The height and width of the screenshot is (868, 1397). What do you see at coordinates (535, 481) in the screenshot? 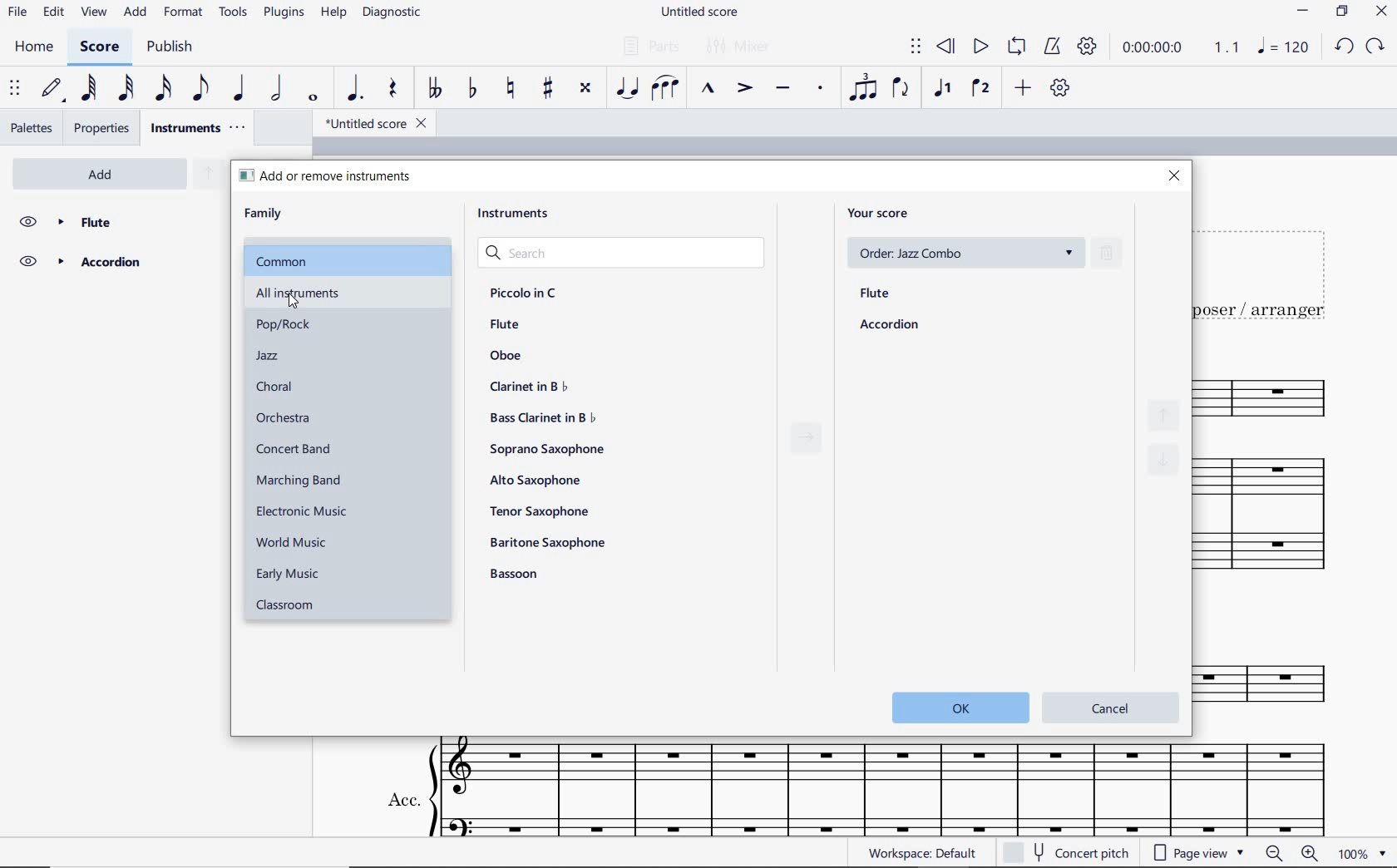
I see `Alto Saxophone` at bounding box center [535, 481].